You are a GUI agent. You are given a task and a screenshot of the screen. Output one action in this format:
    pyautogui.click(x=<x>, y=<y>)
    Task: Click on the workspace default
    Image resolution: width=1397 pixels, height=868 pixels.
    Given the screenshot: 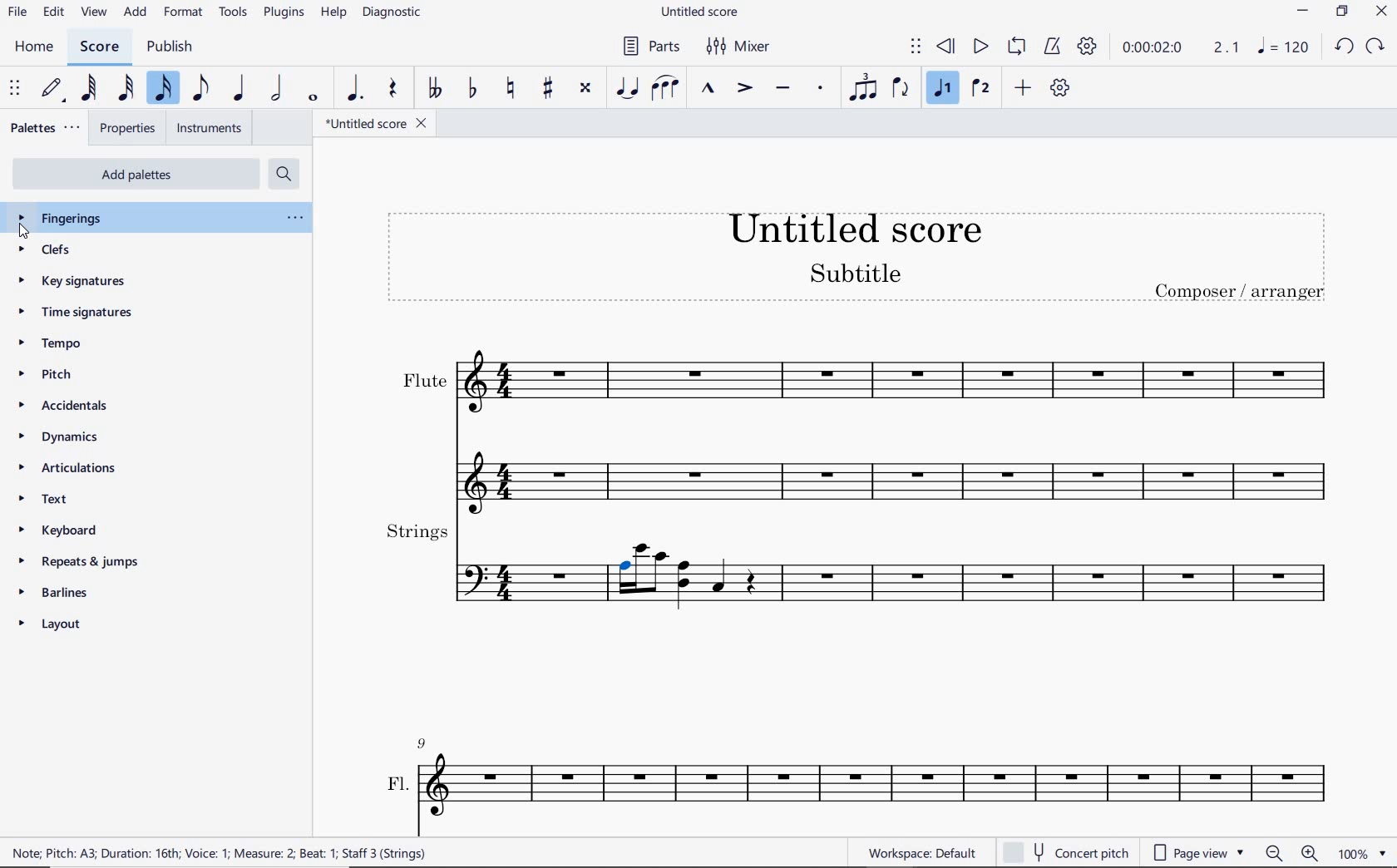 What is the action you would take?
    pyautogui.click(x=922, y=853)
    